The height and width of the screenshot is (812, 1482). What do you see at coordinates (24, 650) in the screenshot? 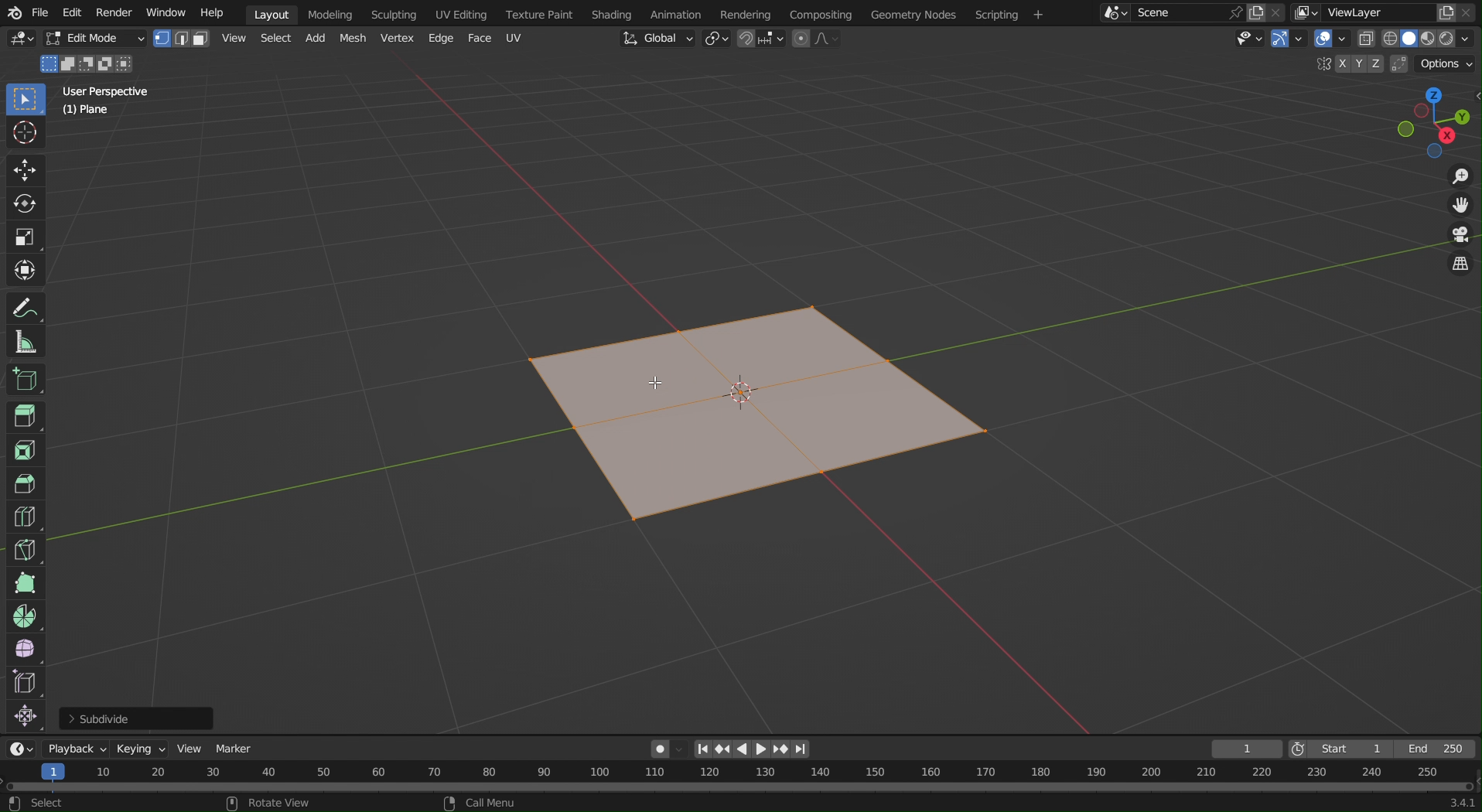
I see `Smooth` at bounding box center [24, 650].